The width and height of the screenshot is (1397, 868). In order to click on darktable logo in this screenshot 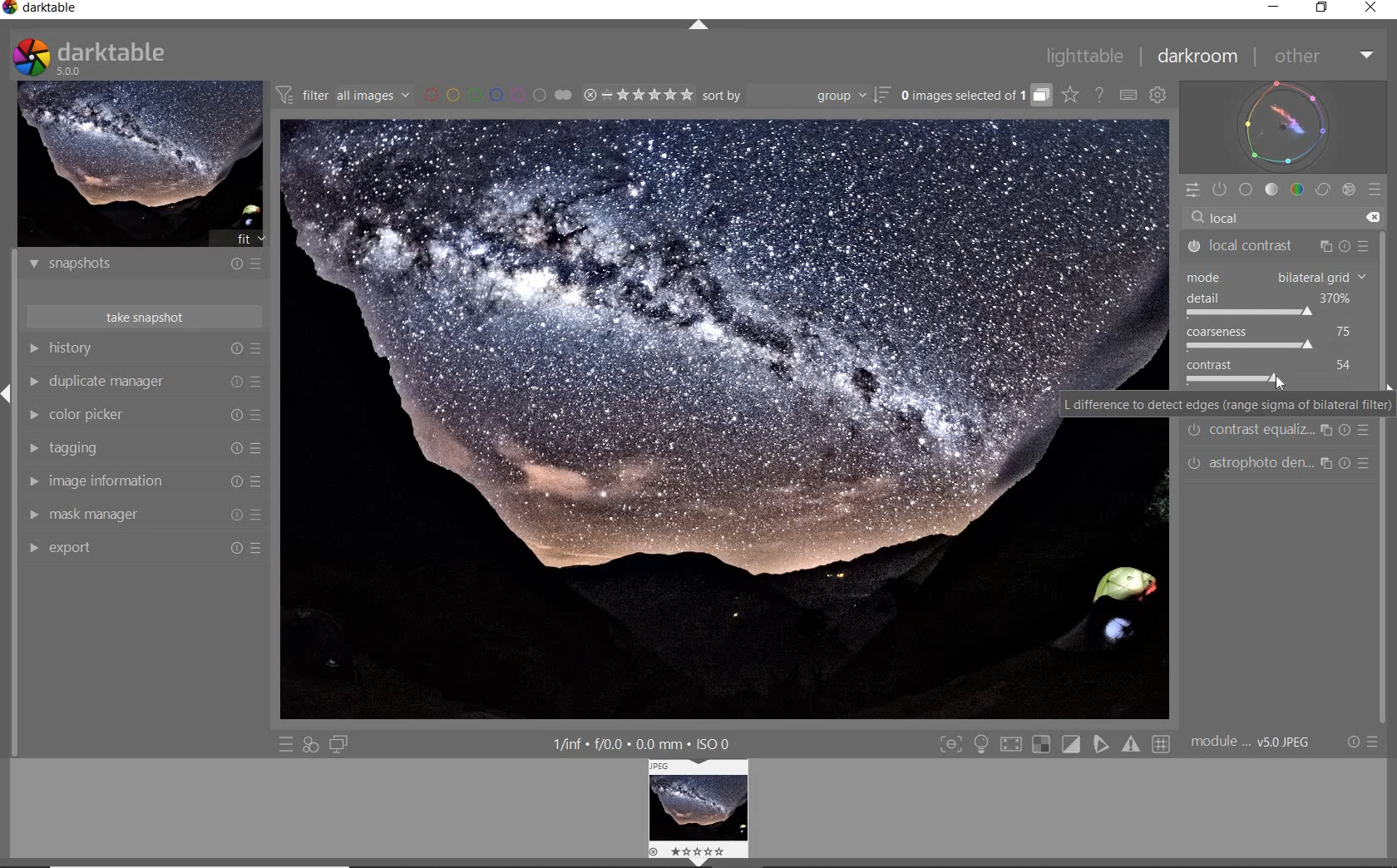, I will do `click(27, 57)`.